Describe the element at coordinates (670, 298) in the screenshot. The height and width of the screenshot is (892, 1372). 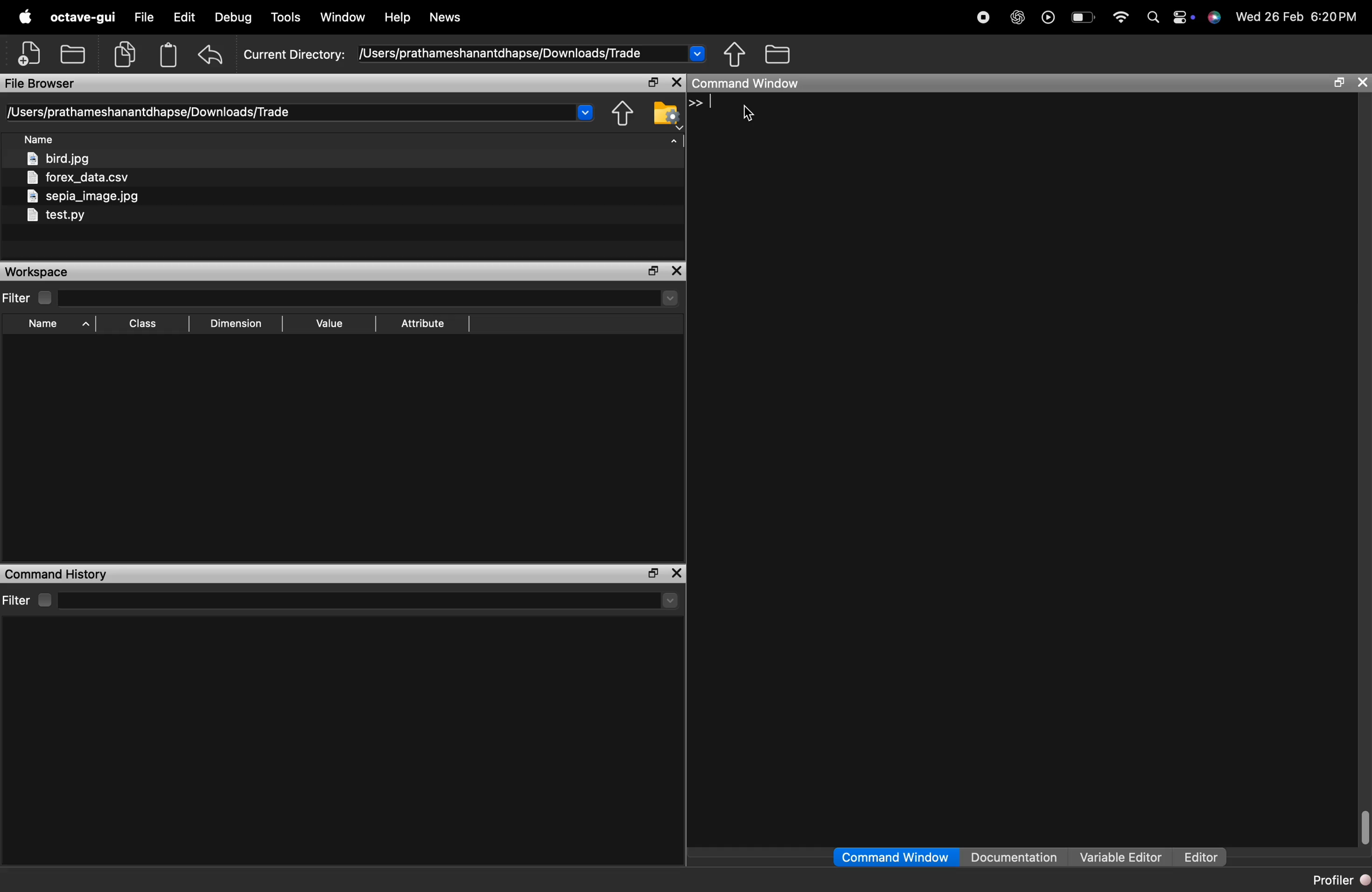
I see `dropdown` at that location.